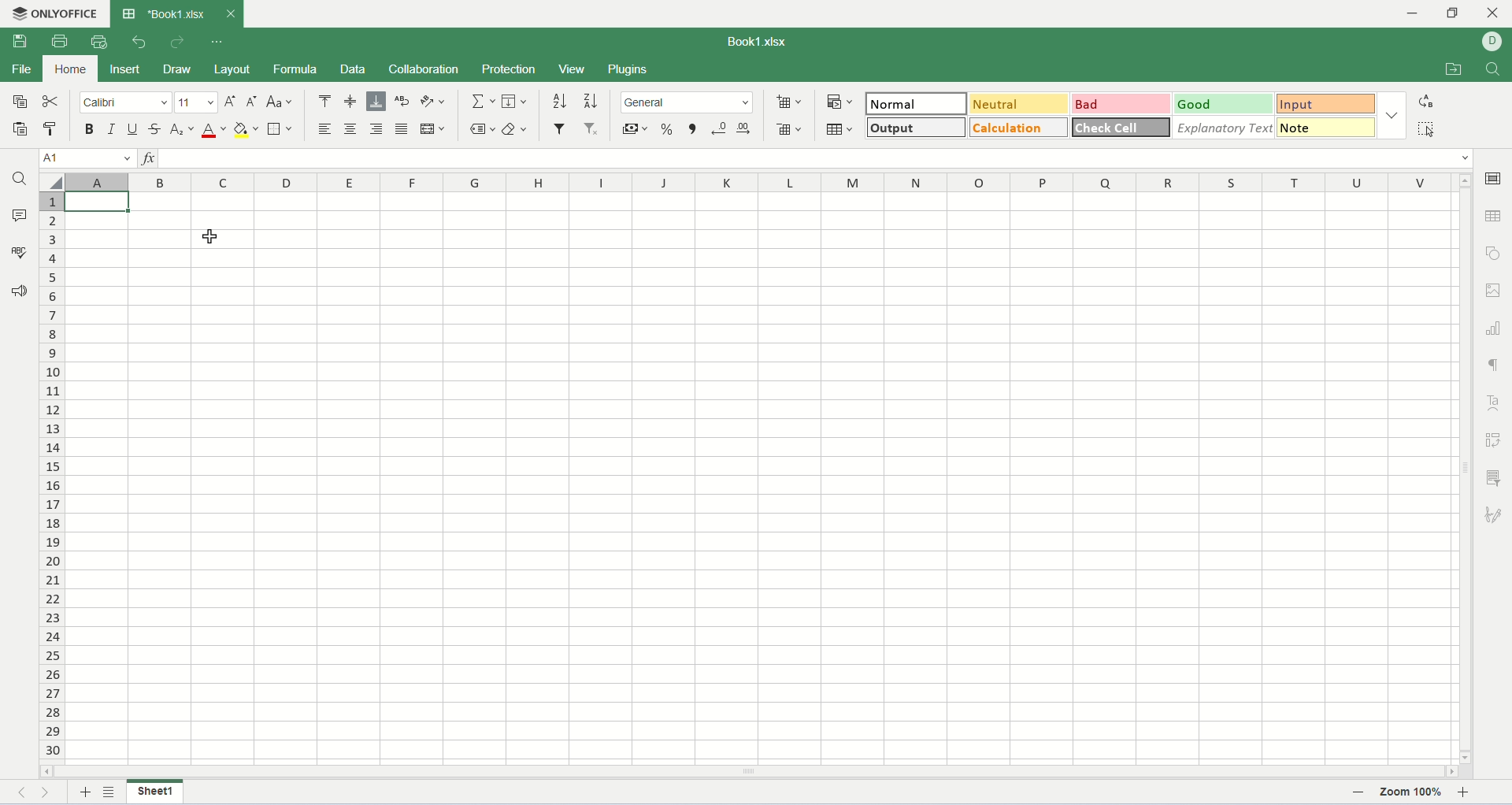 Image resolution: width=1512 pixels, height=805 pixels. I want to click on number format, so click(687, 102).